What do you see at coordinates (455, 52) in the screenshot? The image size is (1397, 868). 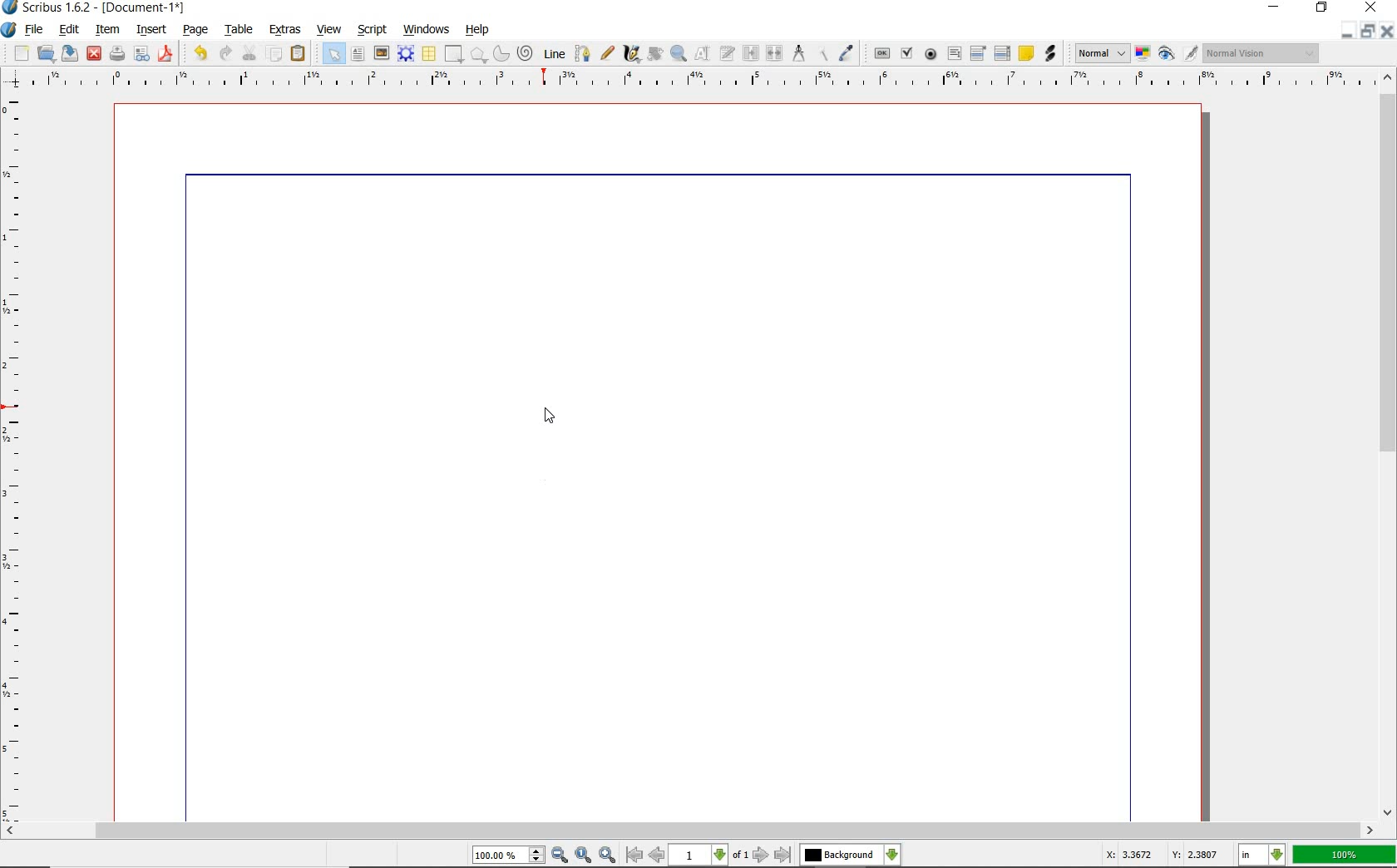 I see `shape` at bounding box center [455, 52].